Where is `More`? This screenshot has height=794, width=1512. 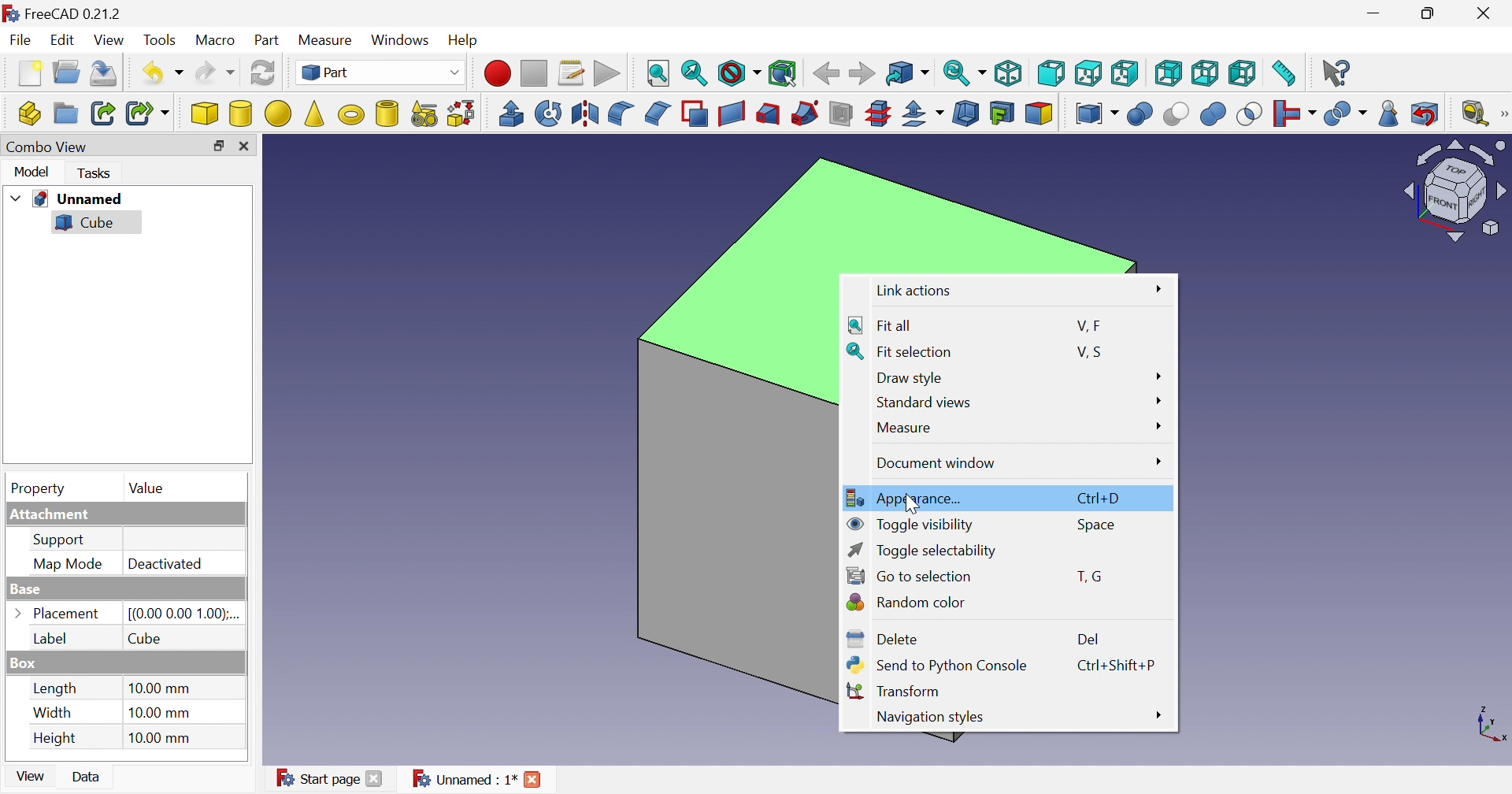
More is located at coordinates (1162, 288).